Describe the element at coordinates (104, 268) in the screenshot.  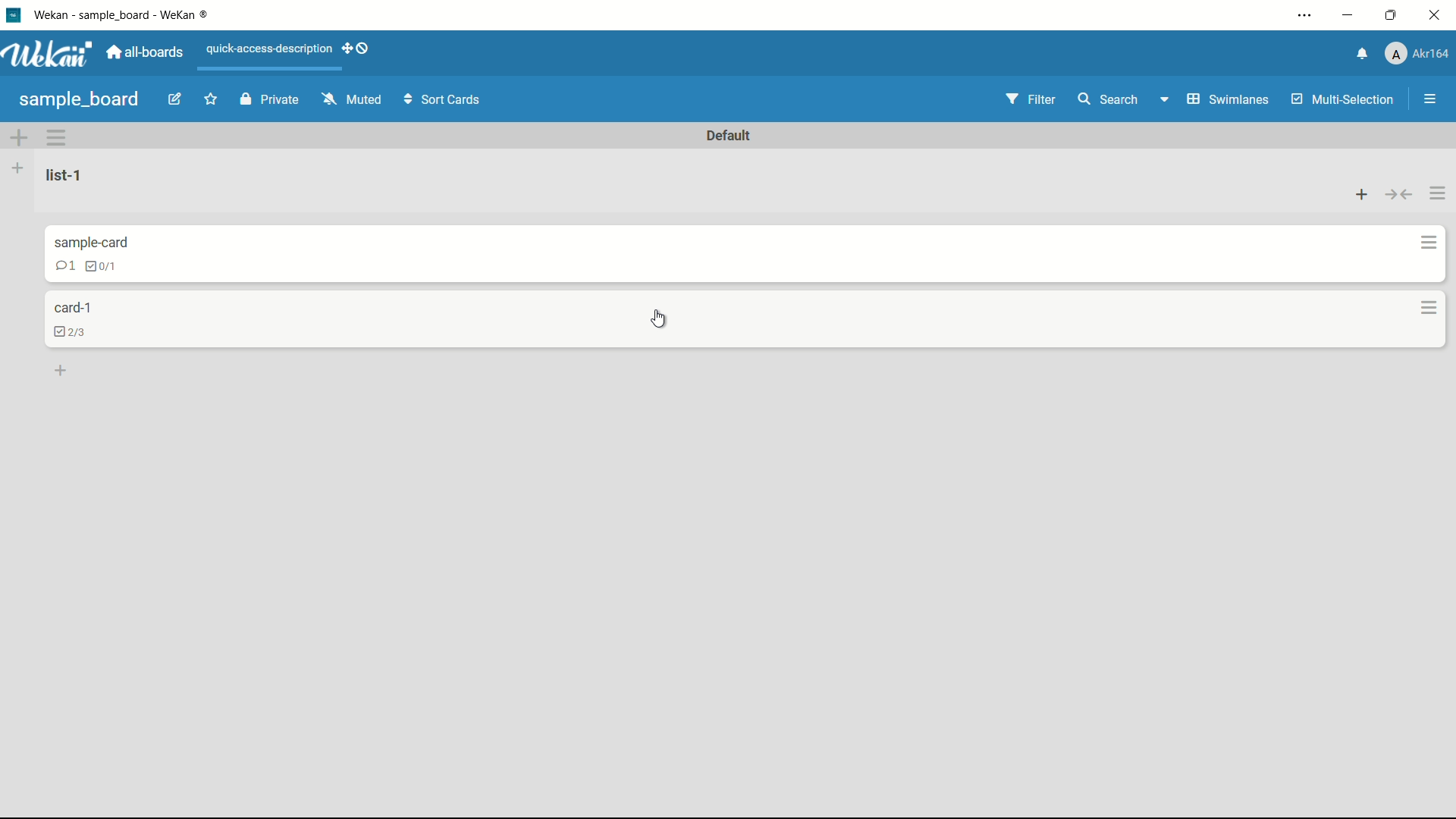
I see `checklist` at that location.